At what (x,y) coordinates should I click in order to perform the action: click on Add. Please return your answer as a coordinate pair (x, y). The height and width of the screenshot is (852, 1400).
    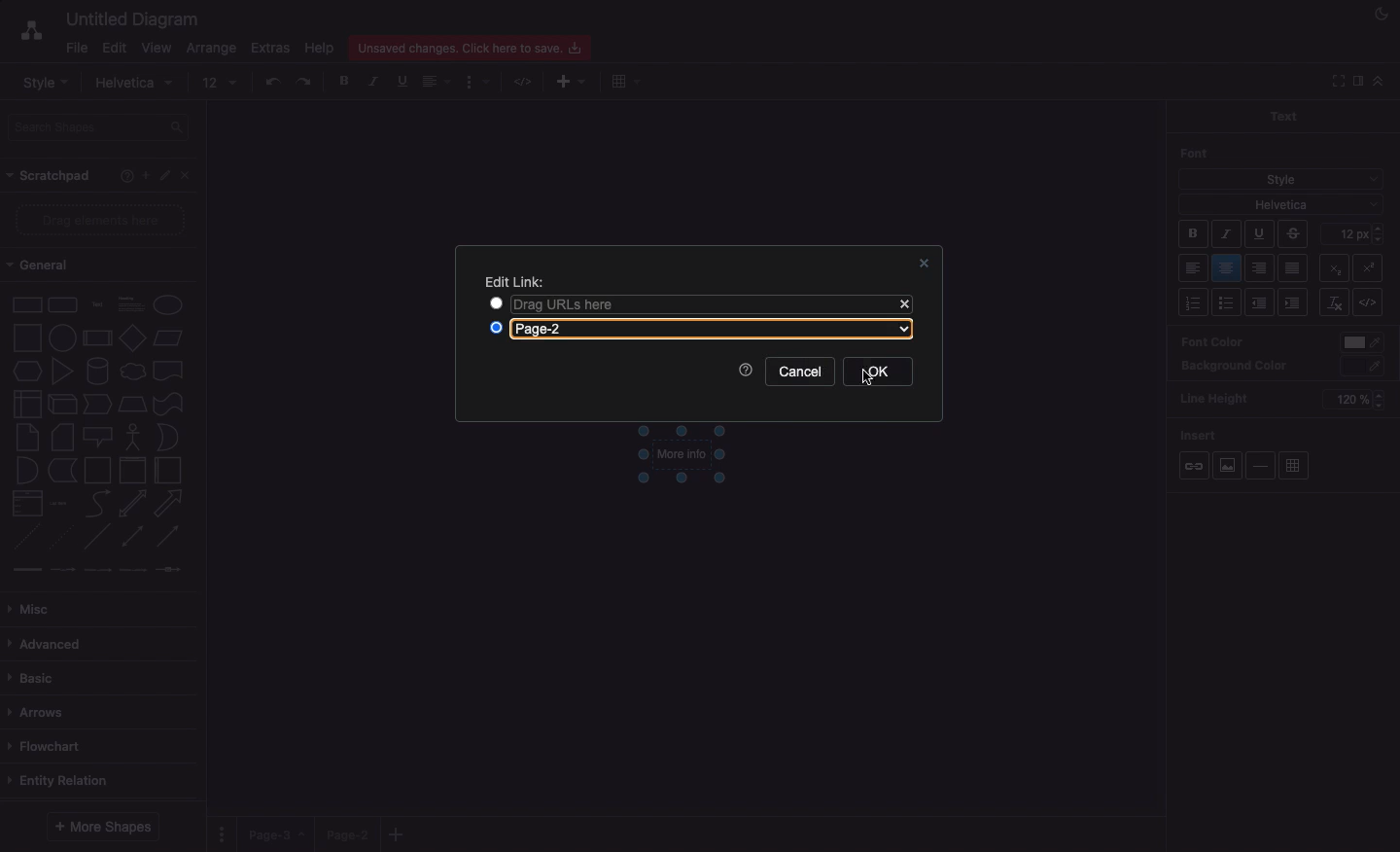
    Looking at the image, I should click on (564, 83).